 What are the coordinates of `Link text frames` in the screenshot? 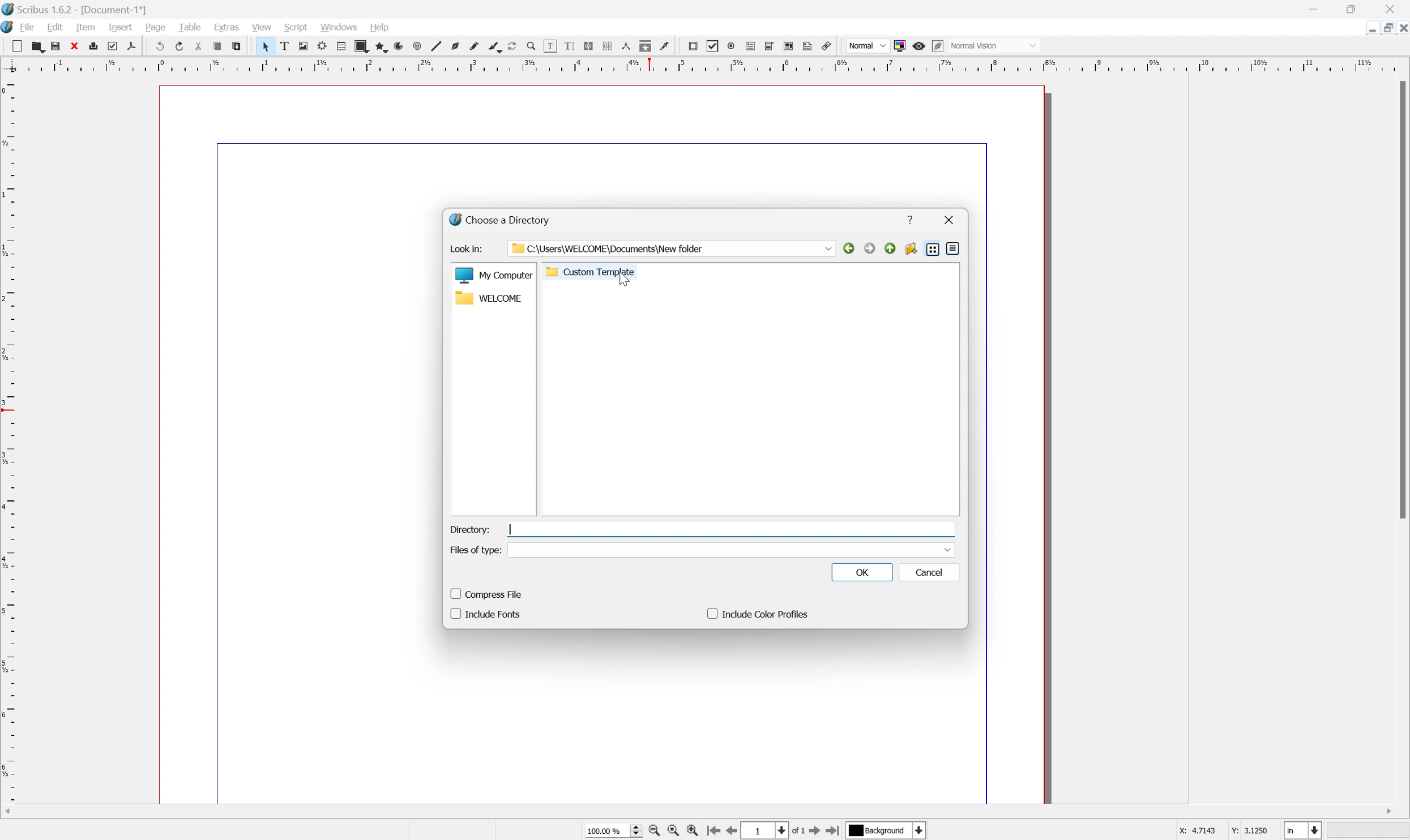 It's located at (591, 46).